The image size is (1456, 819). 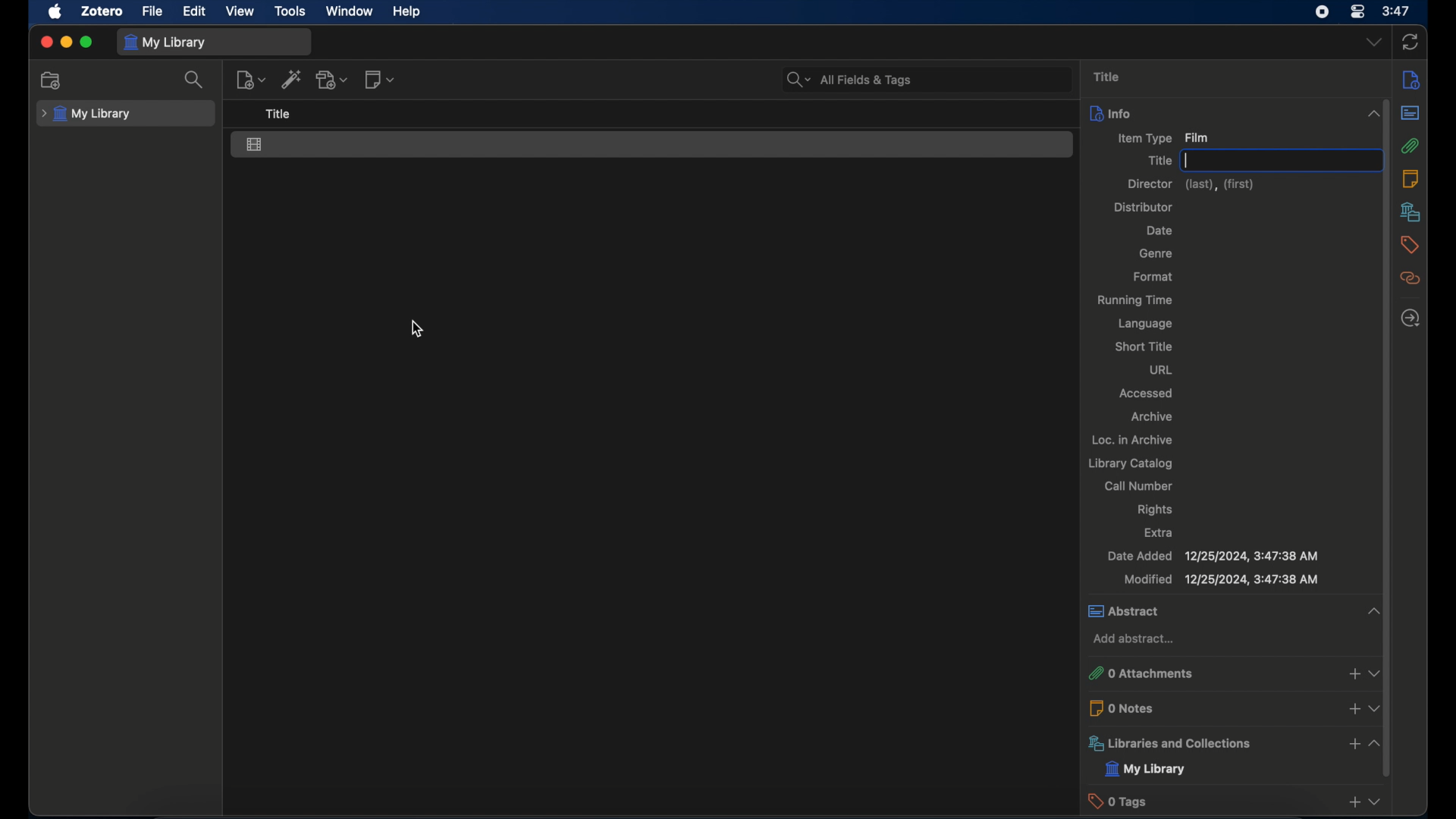 What do you see at coordinates (1350, 742) in the screenshot?
I see `add libraries` at bounding box center [1350, 742].